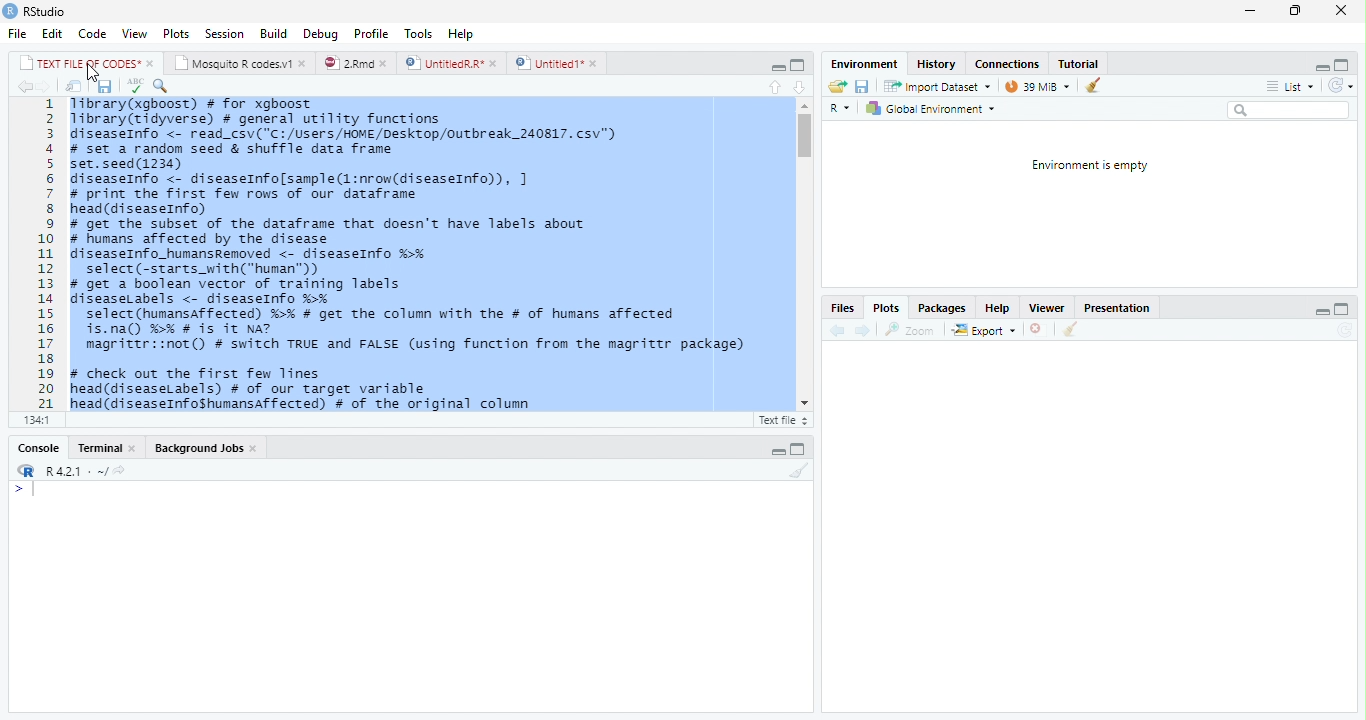  What do you see at coordinates (24, 470) in the screenshot?
I see `R` at bounding box center [24, 470].